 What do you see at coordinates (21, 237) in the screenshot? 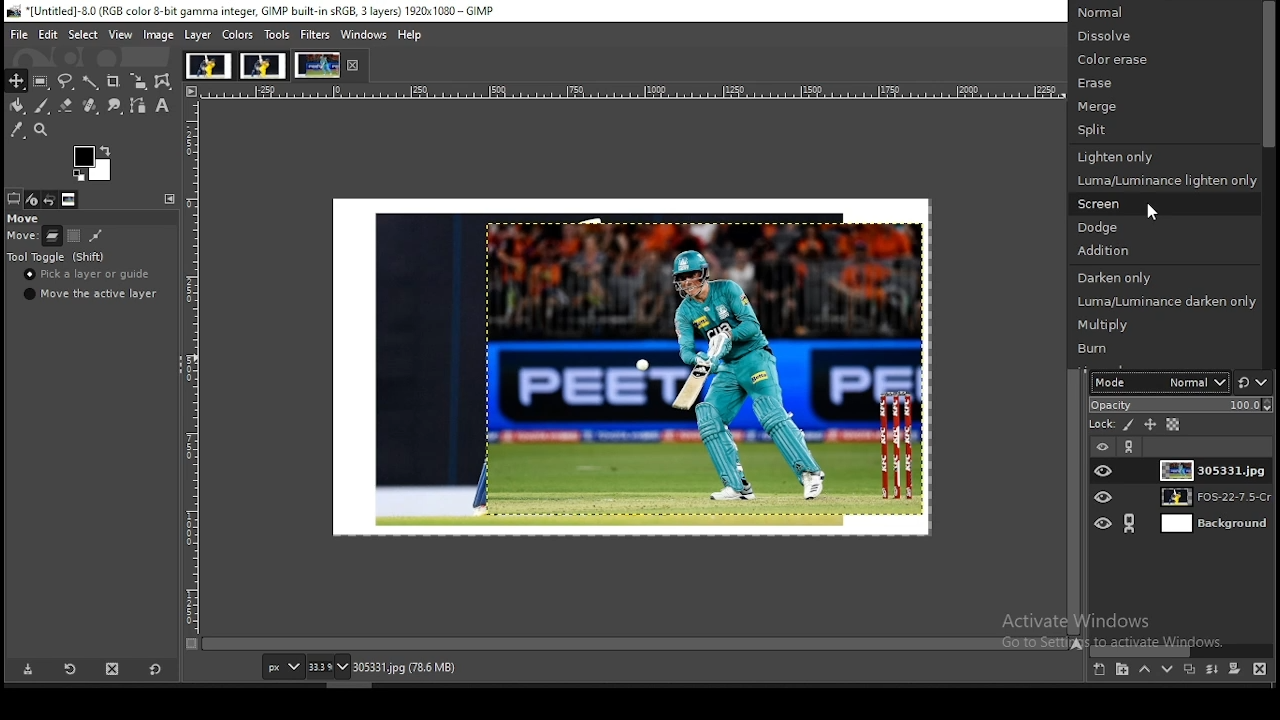
I see `move` at bounding box center [21, 237].